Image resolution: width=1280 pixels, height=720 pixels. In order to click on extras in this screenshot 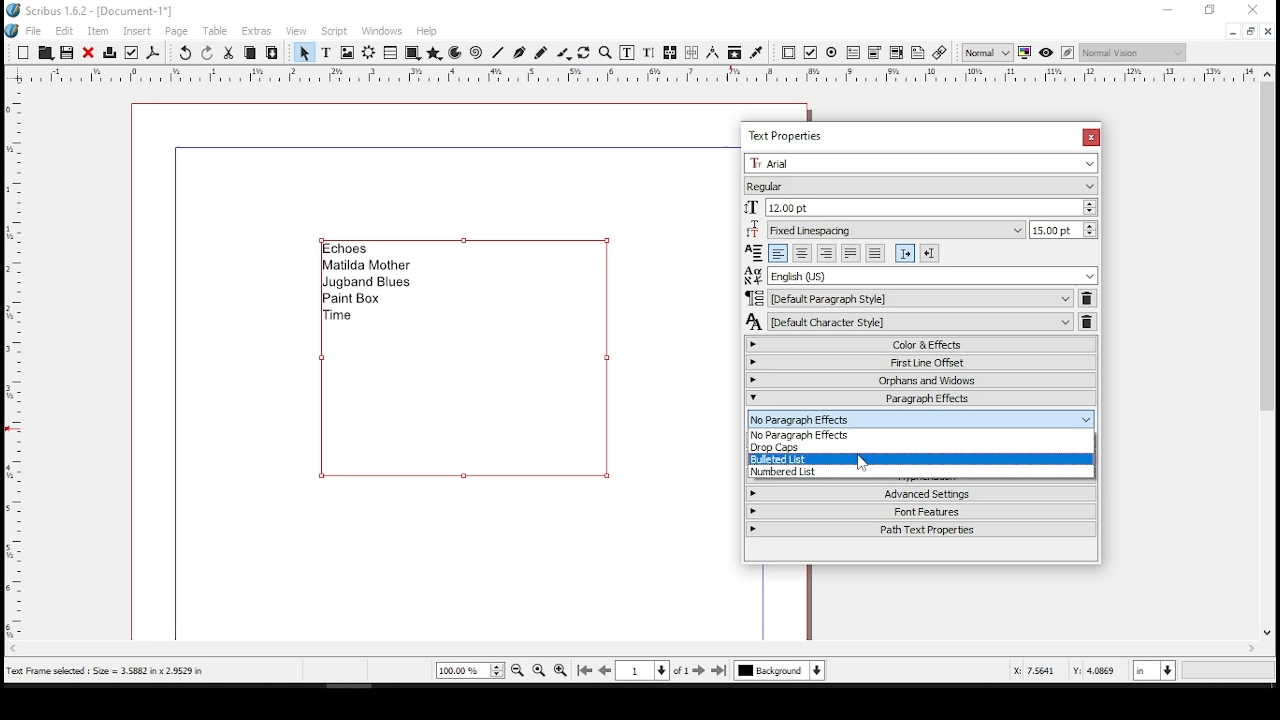, I will do `click(258, 32)`.